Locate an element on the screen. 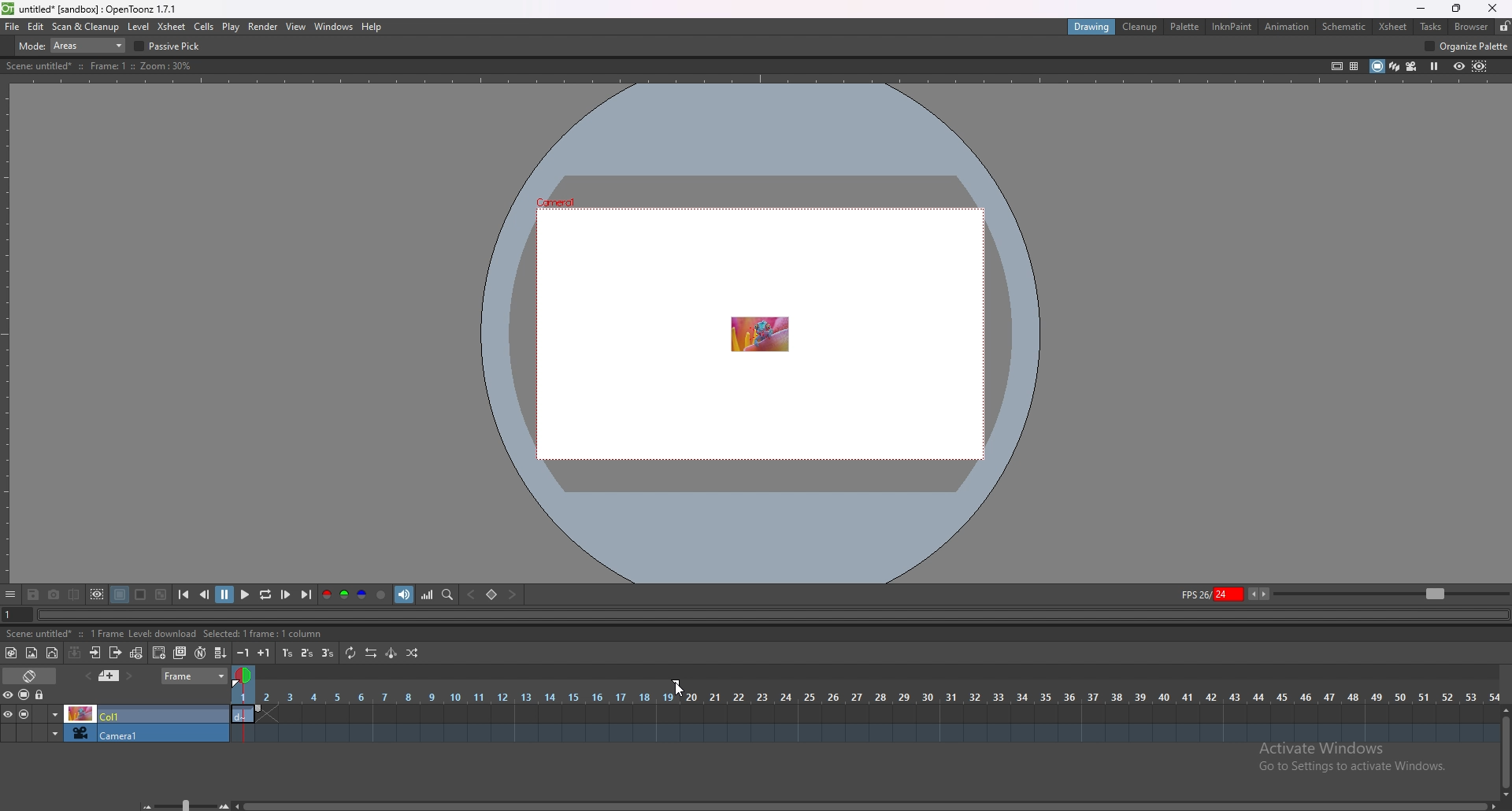 The width and height of the screenshot is (1512, 811). safe area is located at coordinates (1338, 66).